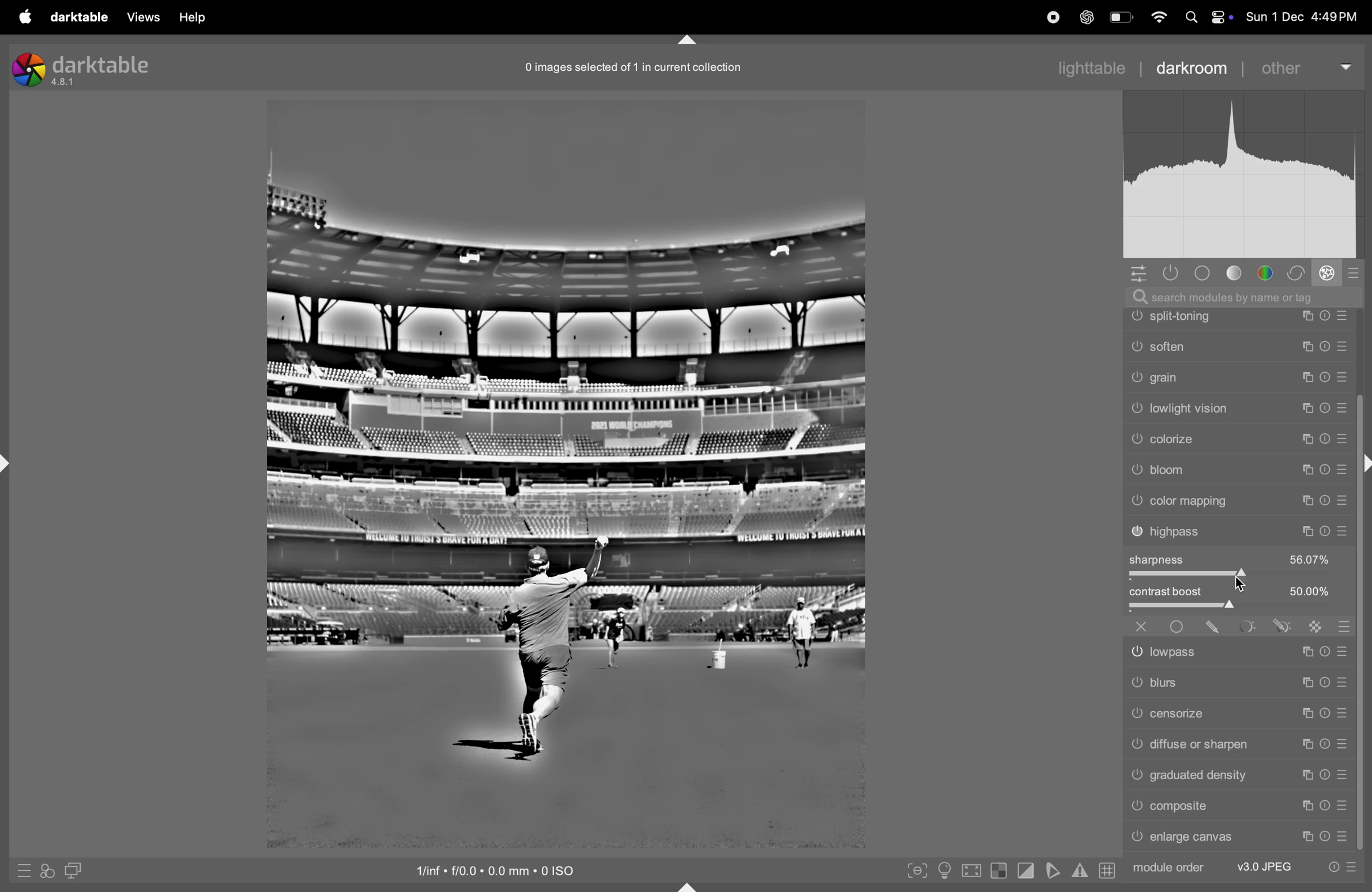 This screenshot has width=1372, height=892. Describe the element at coordinates (1238, 774) in the screenshot. I see `gratitude density` at that location.